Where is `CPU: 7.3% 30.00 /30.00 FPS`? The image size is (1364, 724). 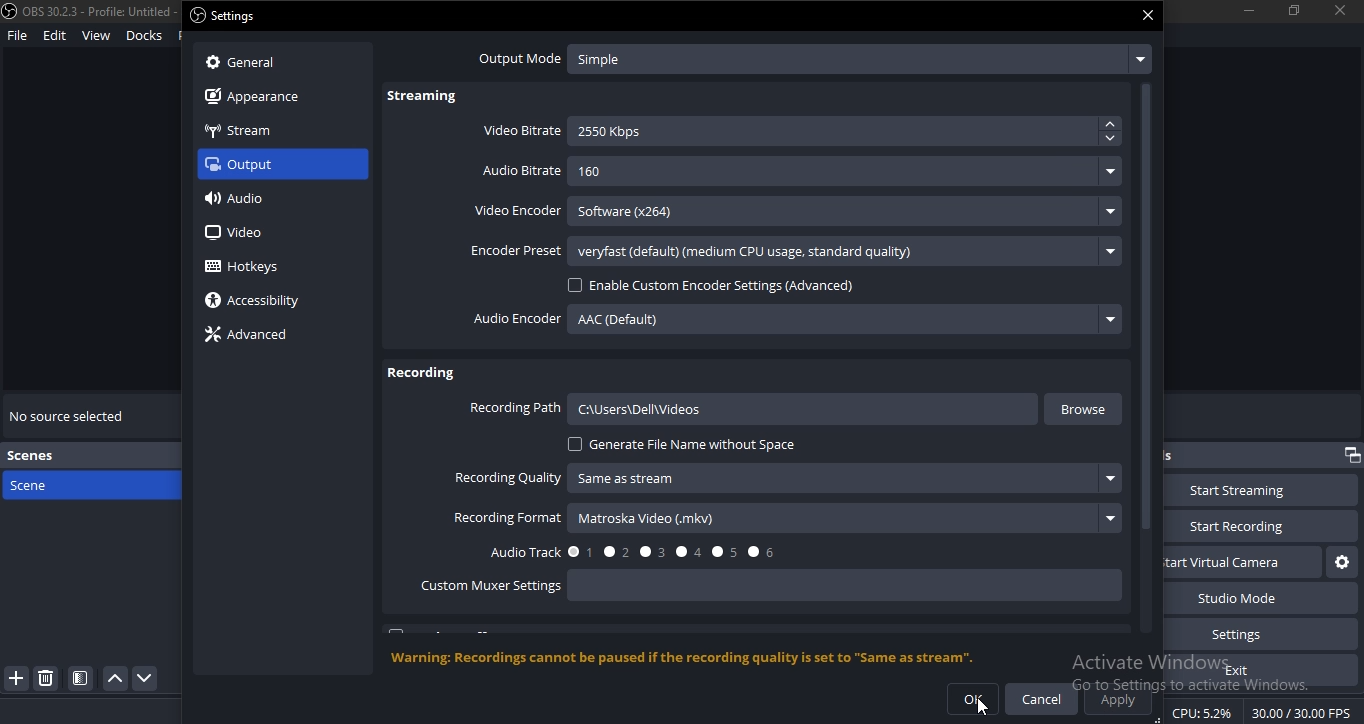
CPU: 7.3% 30.00 /30.00 FPS is located at coordinates (1264, 713).